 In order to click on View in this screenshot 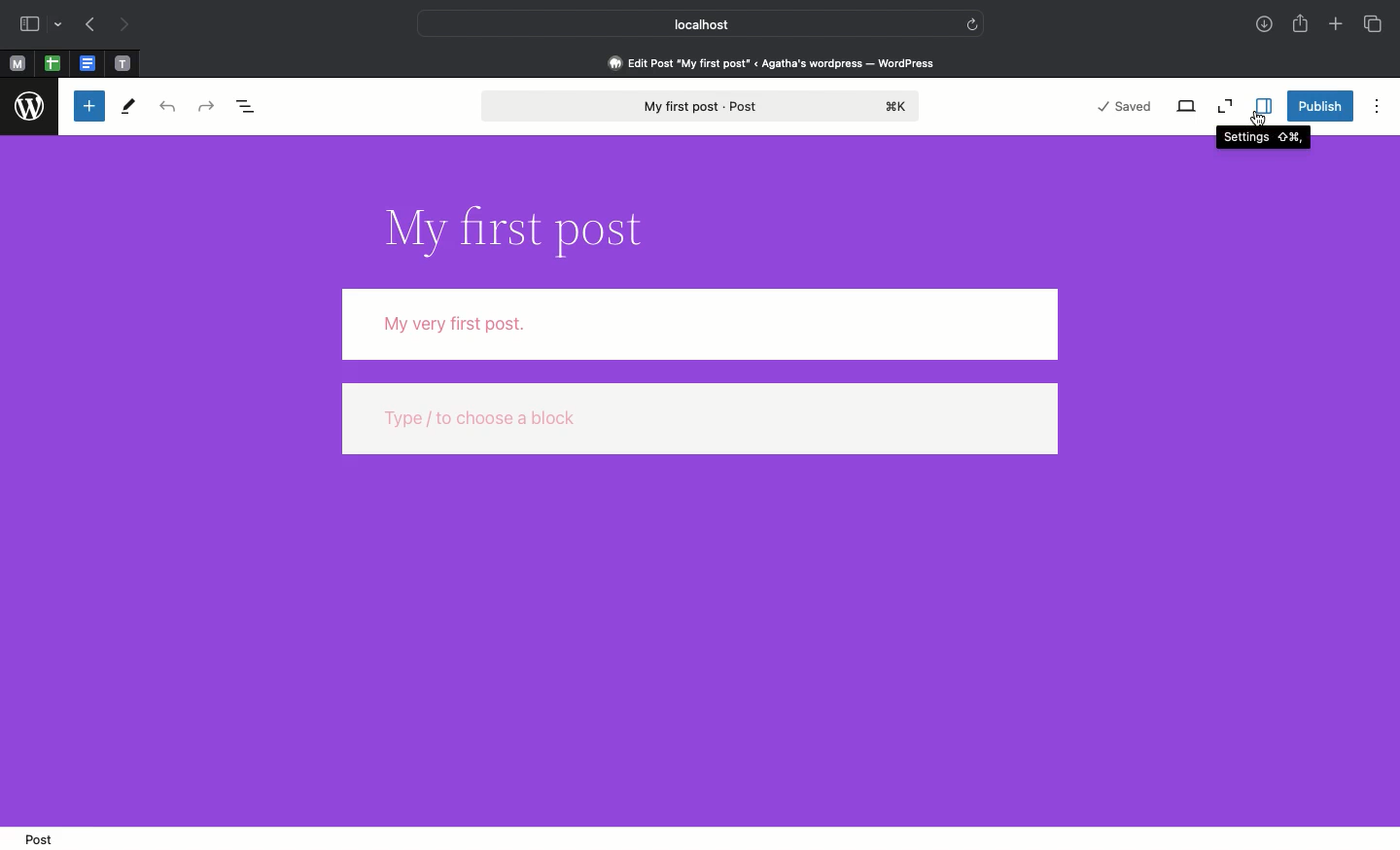, I will do `click(1185, 108)`.